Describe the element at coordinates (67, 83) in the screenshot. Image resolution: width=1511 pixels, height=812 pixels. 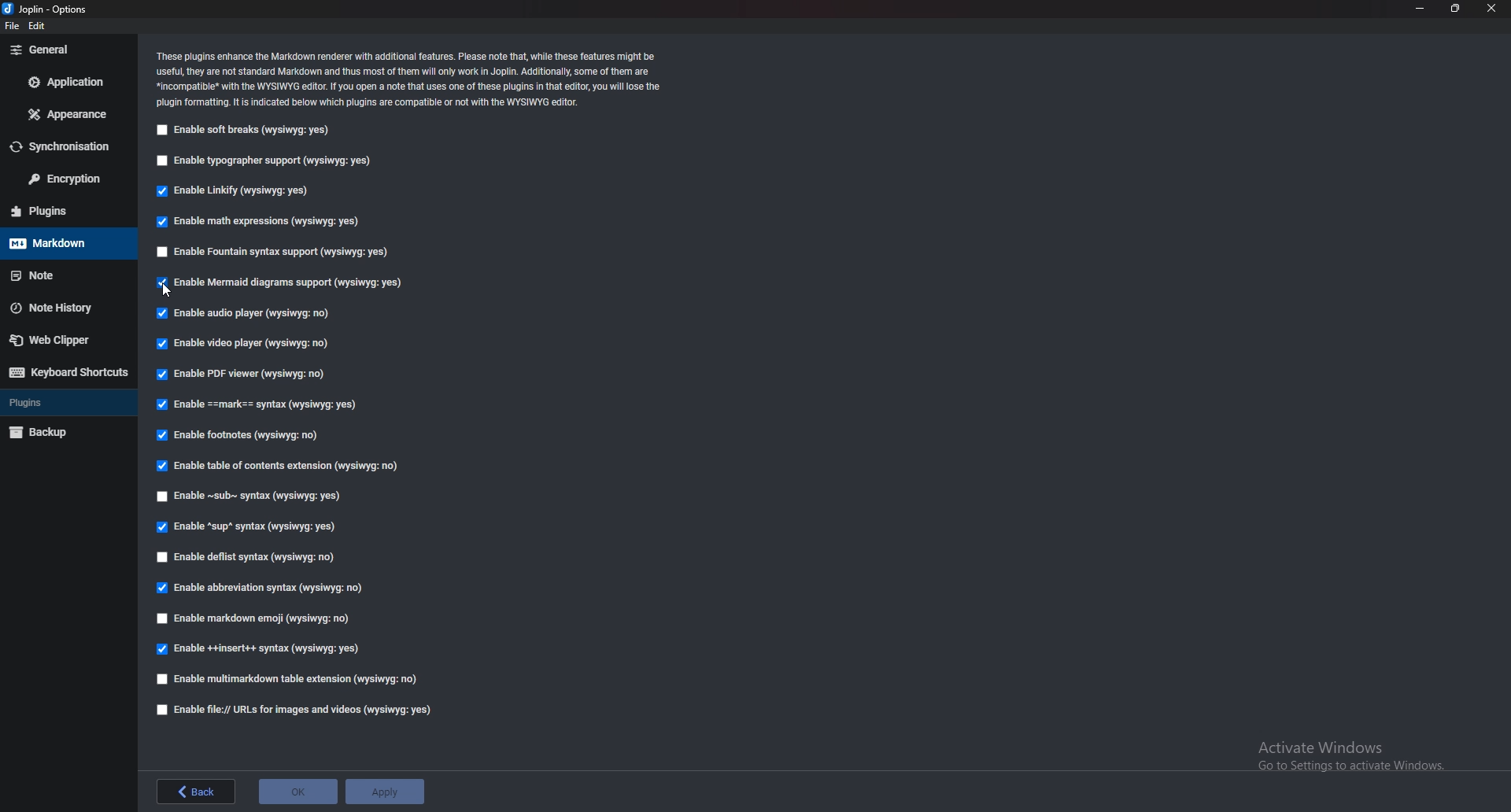
I see `Application` at that location.